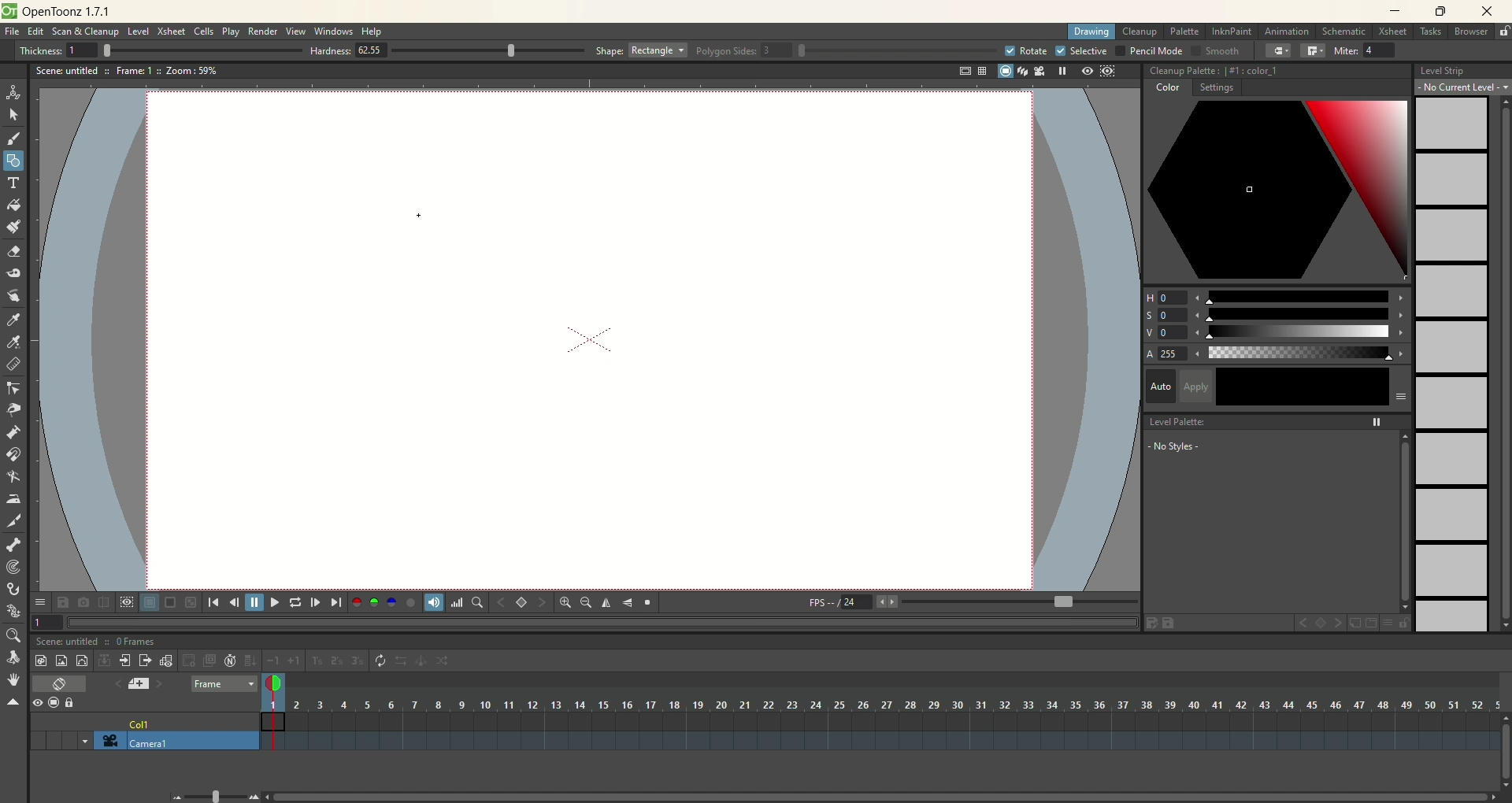 The height and width of the screenshot is (803, 1512). Describe the element at coordinates (250, 661) in the screenshot. I see `fill in empty cells` at that location.